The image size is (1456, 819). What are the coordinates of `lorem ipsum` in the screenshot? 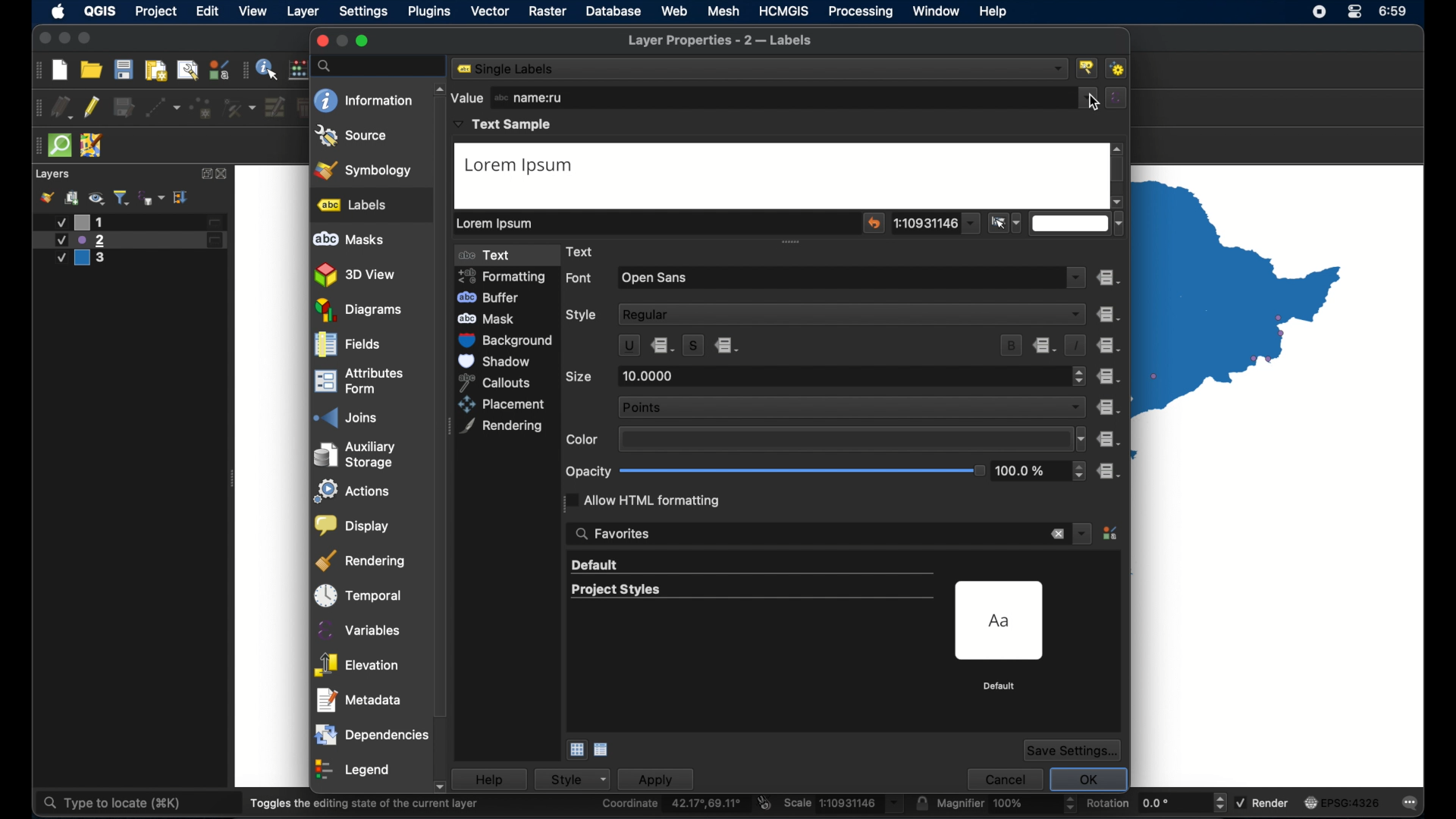 It's located at (523, 166).